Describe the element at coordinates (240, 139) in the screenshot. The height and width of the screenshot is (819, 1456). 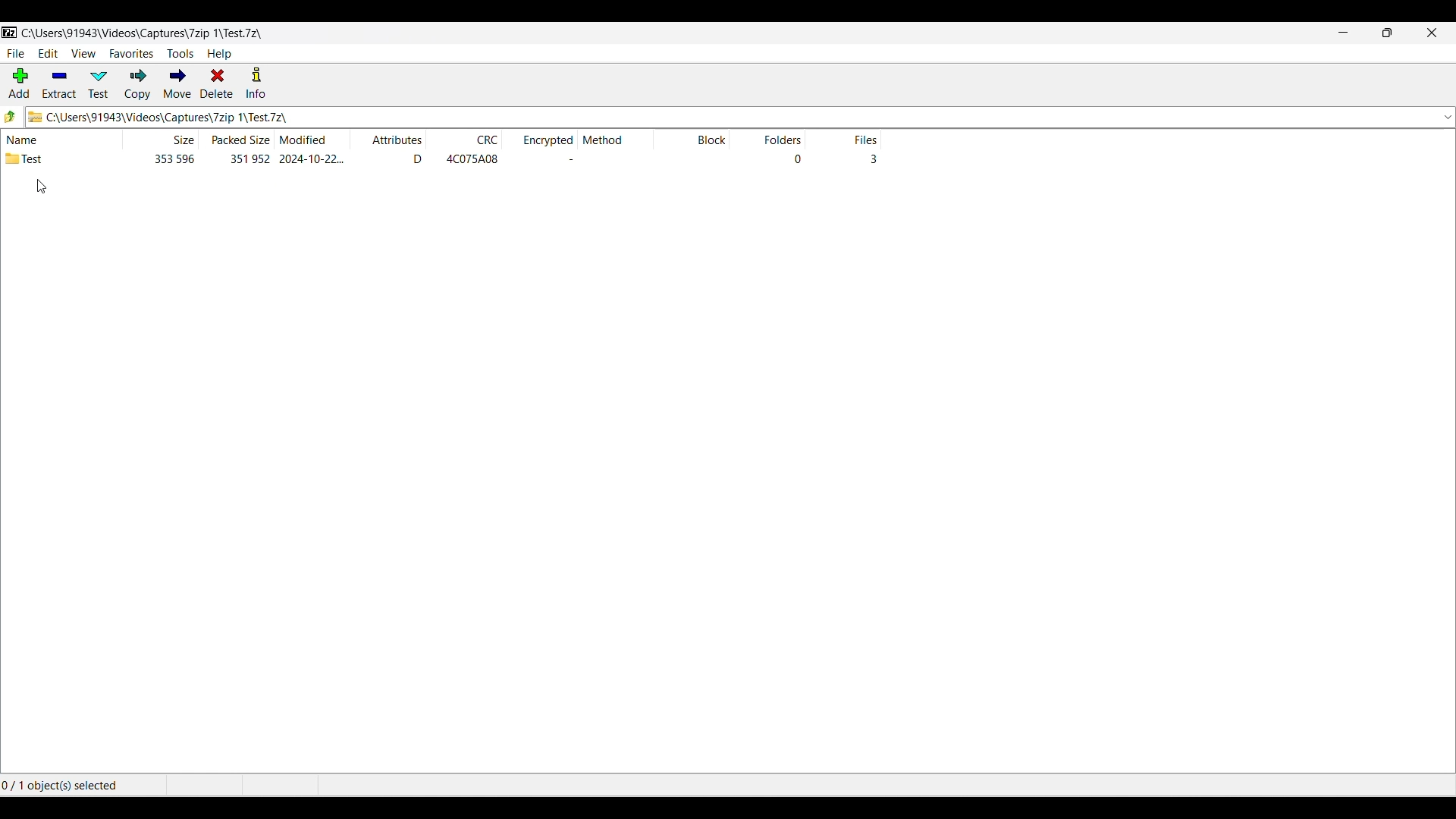
I see `Packed size column` at that location.